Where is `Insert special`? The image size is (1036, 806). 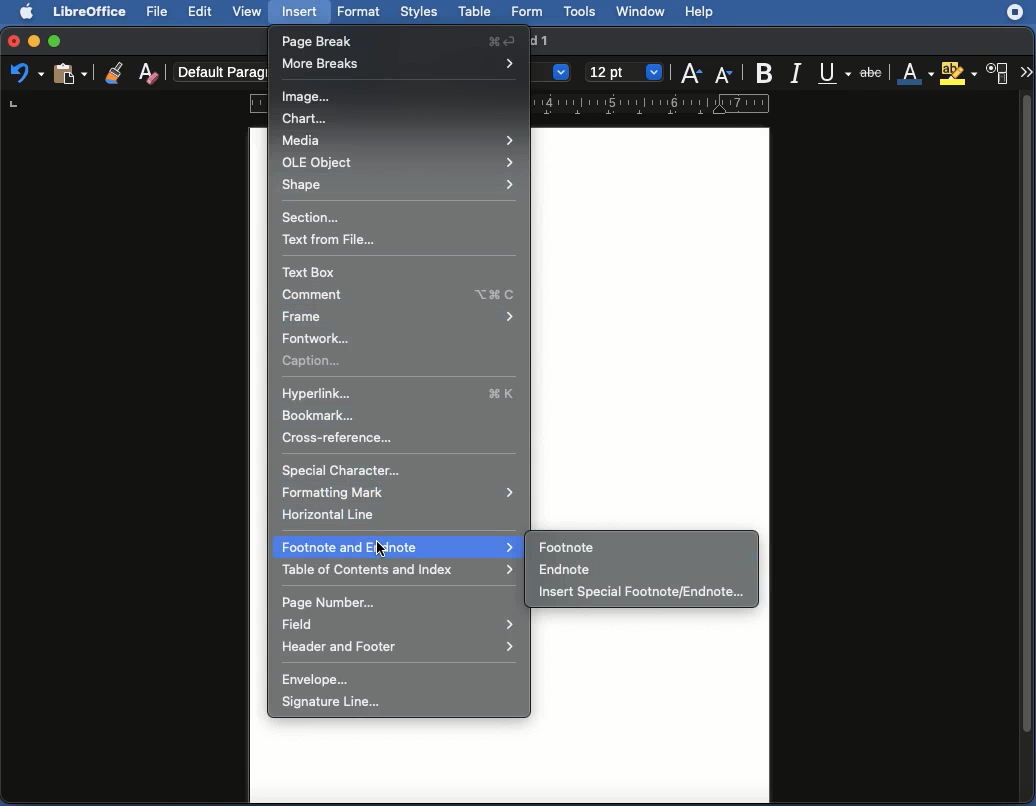 Insert special is located at coordinates (642, 593).